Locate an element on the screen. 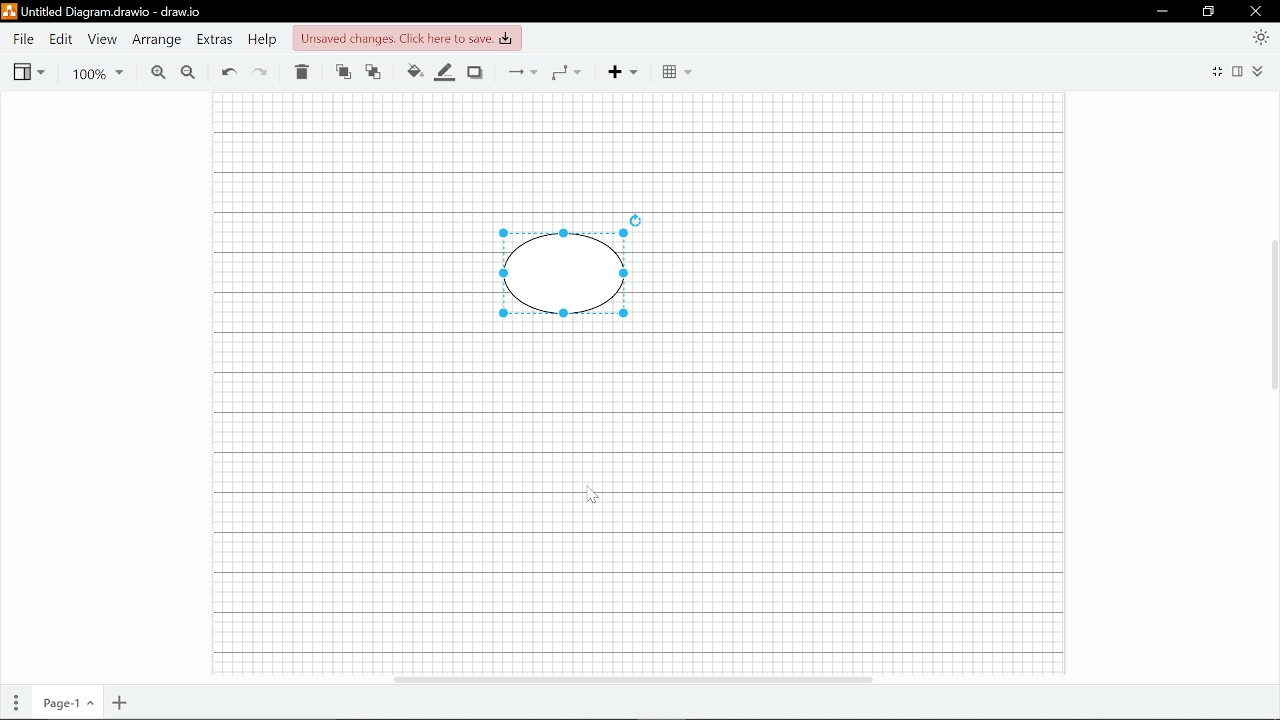 Image resolution: width=1280 pixels, height=720 pixels. File is located at coordinates (22, 39).